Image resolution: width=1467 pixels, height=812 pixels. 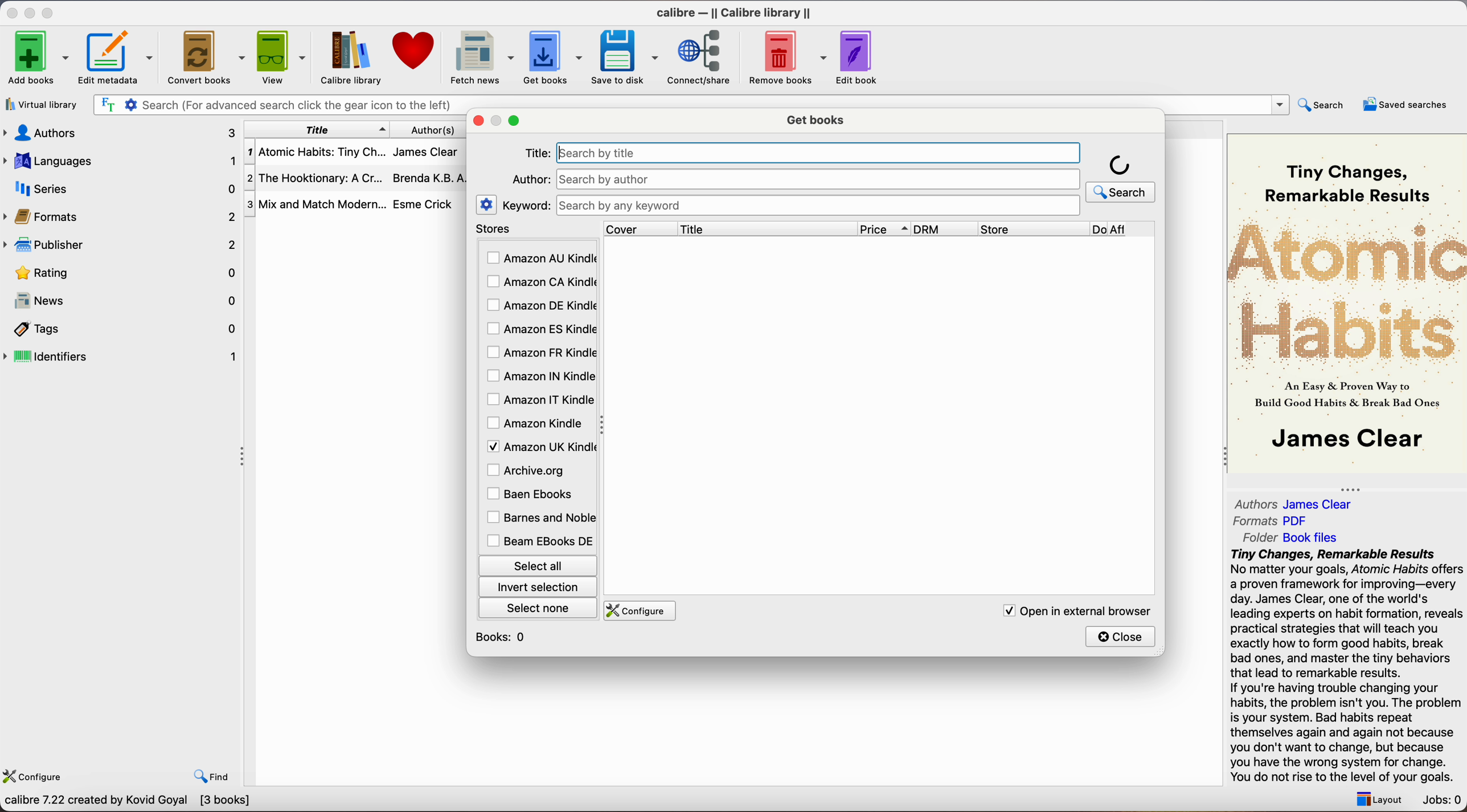 I want to click on author, so click(x=529, y=179).